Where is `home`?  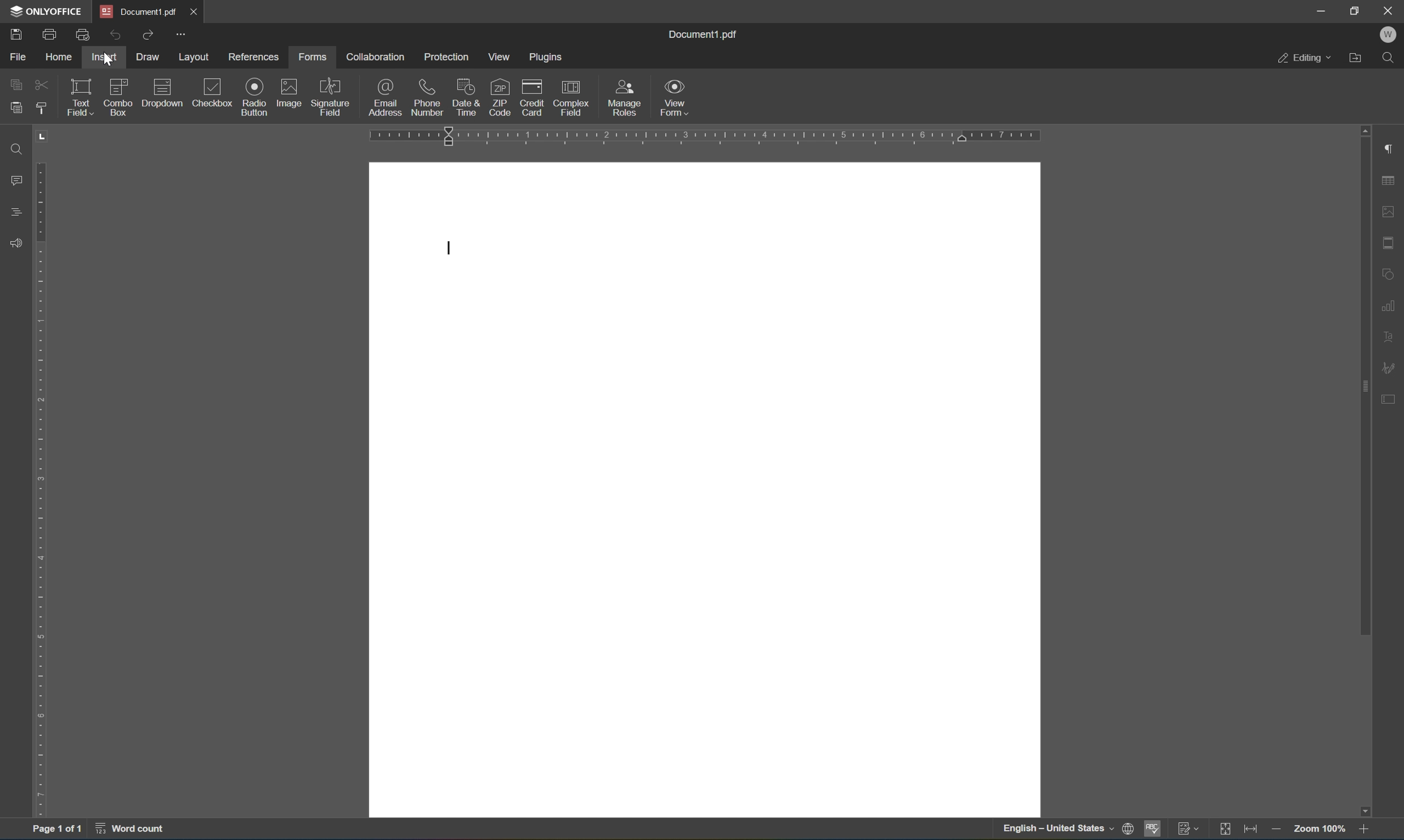 home is located at coordinates (61, 57).